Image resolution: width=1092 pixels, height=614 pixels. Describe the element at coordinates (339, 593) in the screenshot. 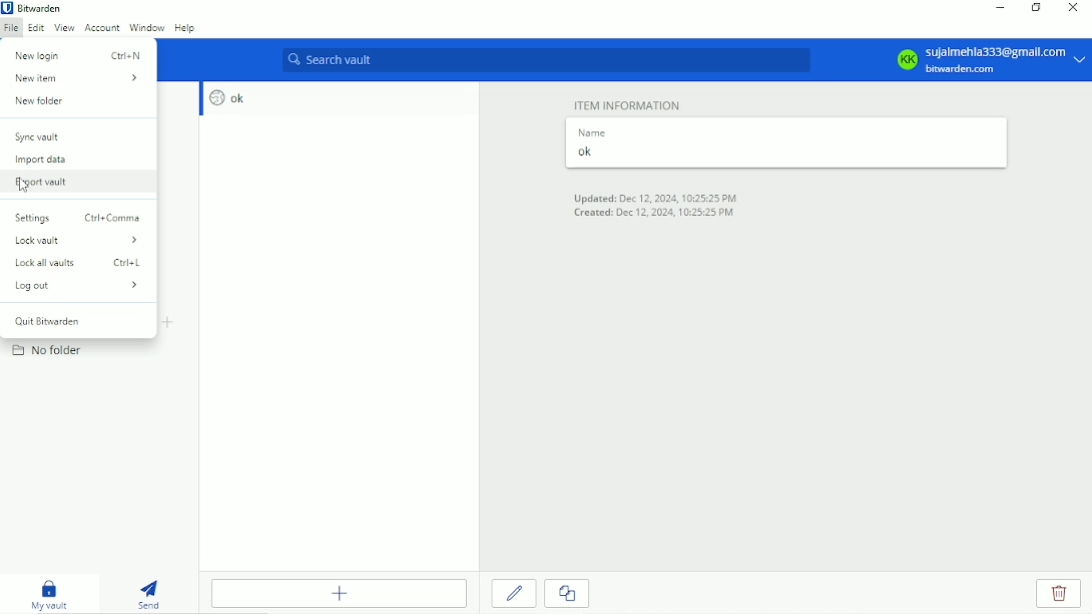

I see `Add item` at that location.